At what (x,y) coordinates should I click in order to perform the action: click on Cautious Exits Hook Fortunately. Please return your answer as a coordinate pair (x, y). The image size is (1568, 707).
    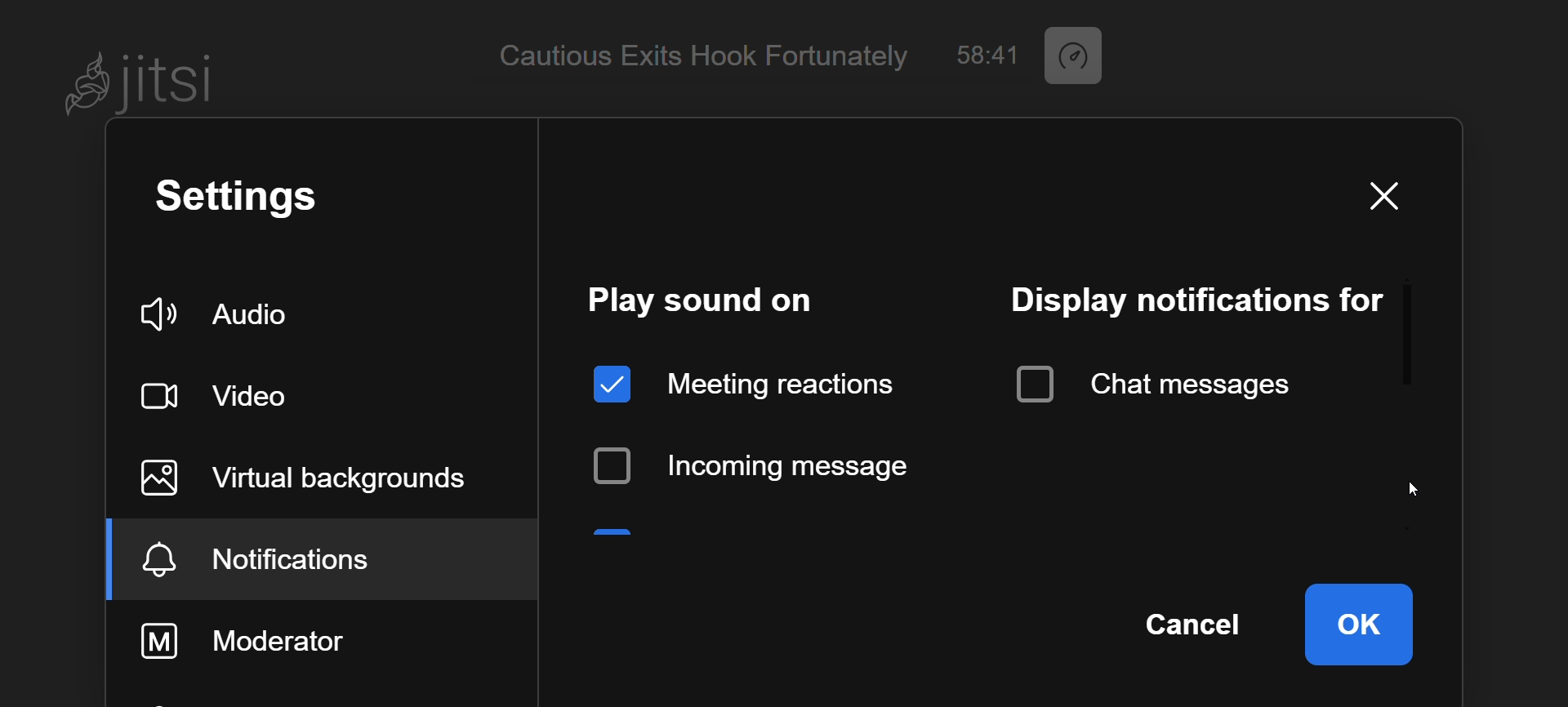
    Looking at the image, I should click on (700, 59).